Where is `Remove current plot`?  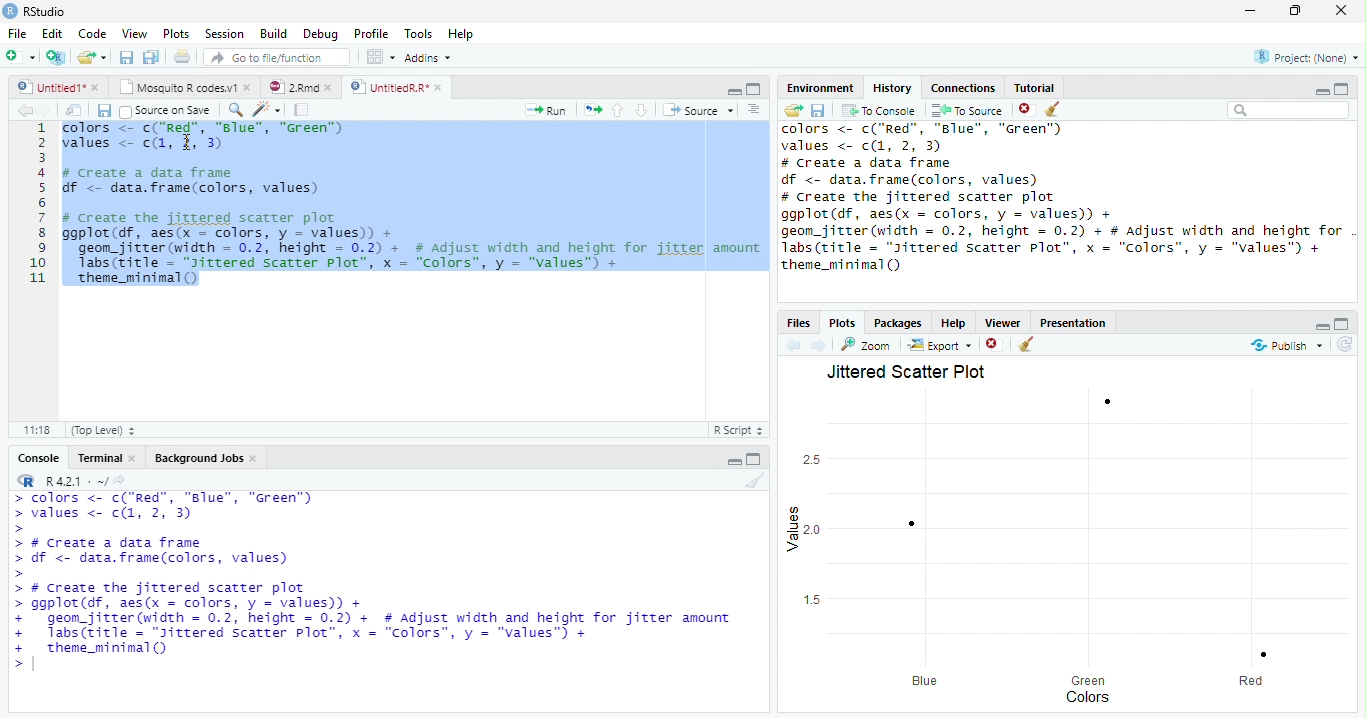 Remove current plot is located at coordinates (994, 345).